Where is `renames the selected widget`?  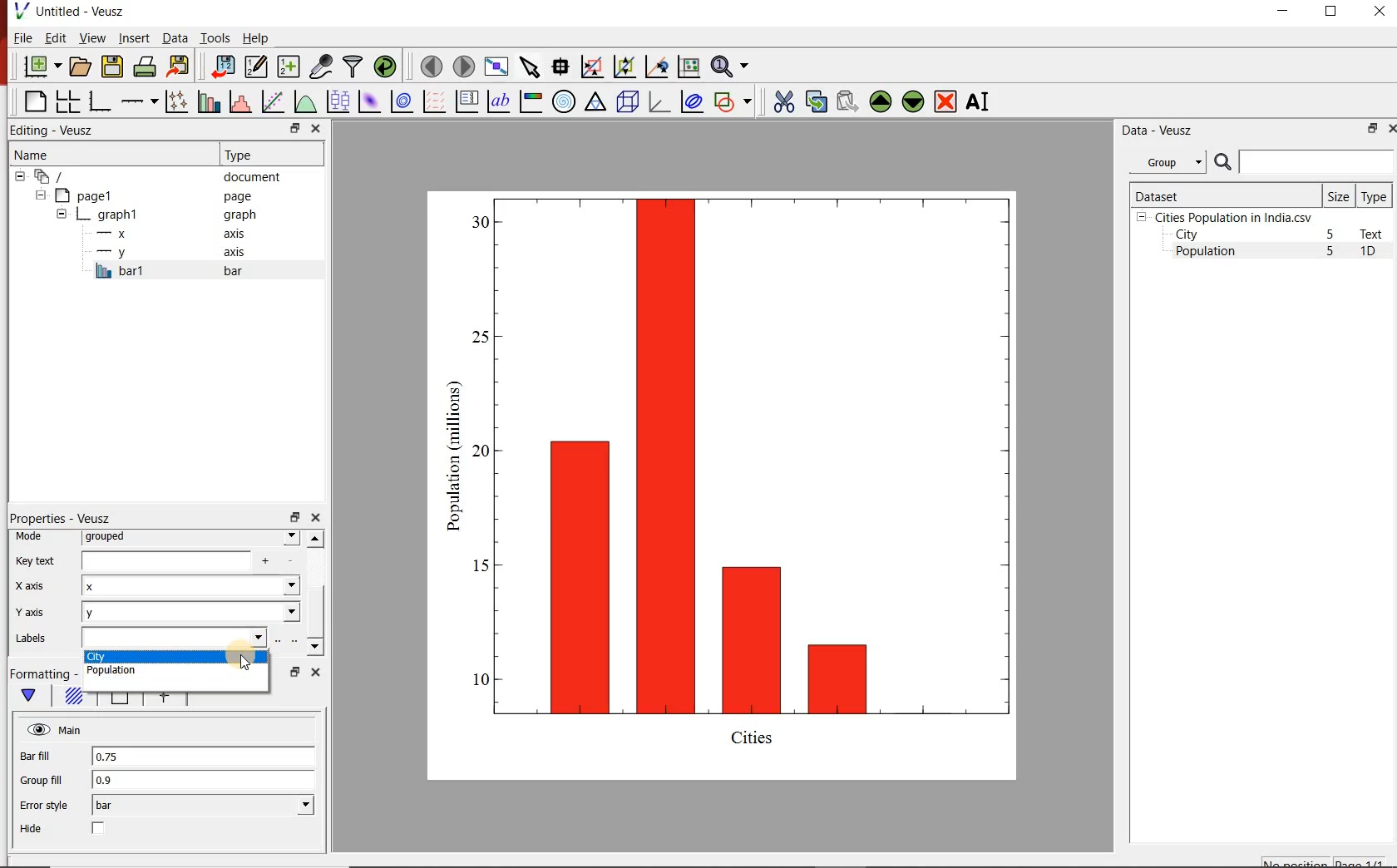 renames the selected widget is located at coordinates (979, 101).